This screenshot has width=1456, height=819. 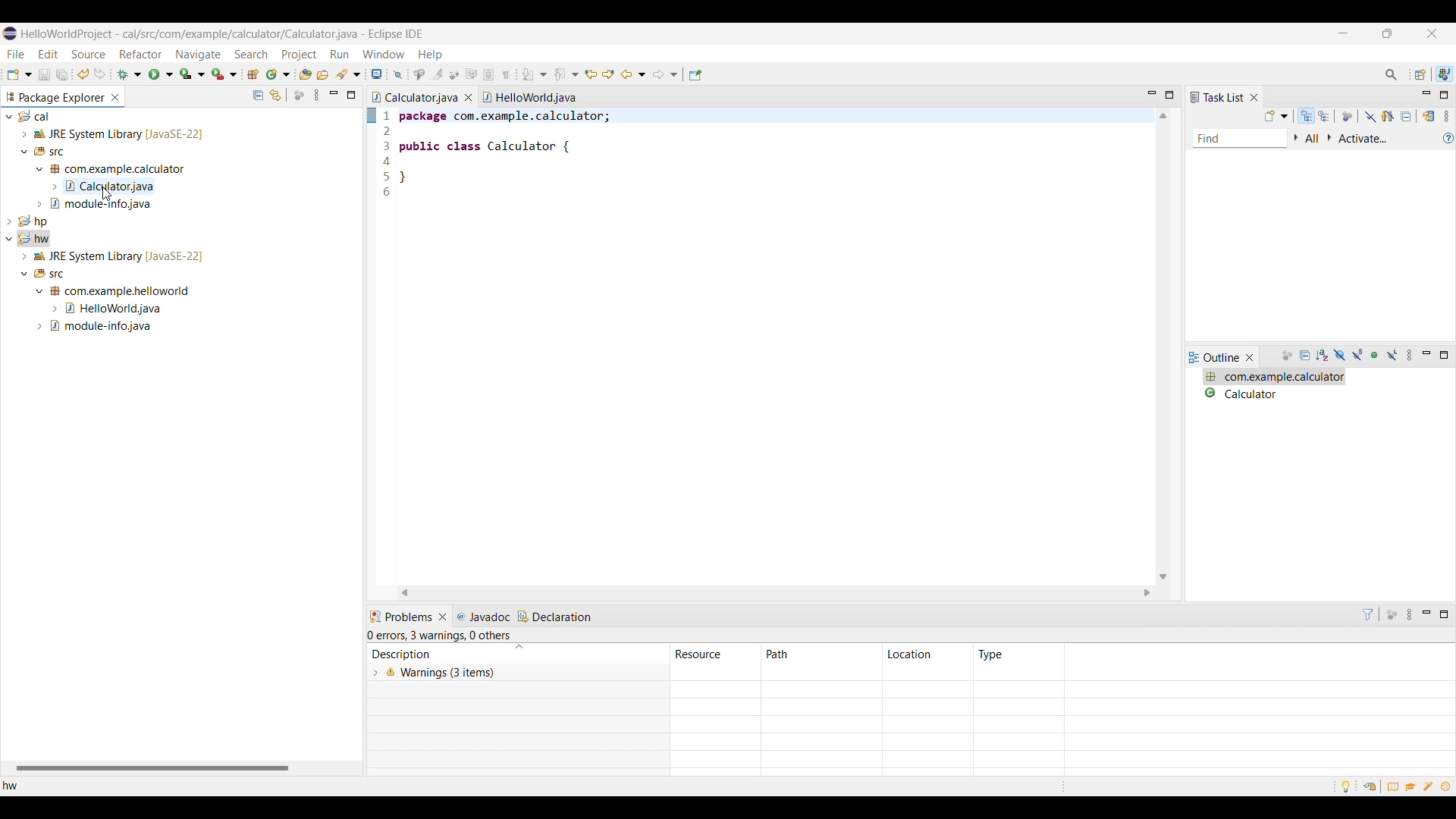 What do you see at coordinates (519, 648) in the screenshot?
I see `Sort` at bounding box center [519, 648].